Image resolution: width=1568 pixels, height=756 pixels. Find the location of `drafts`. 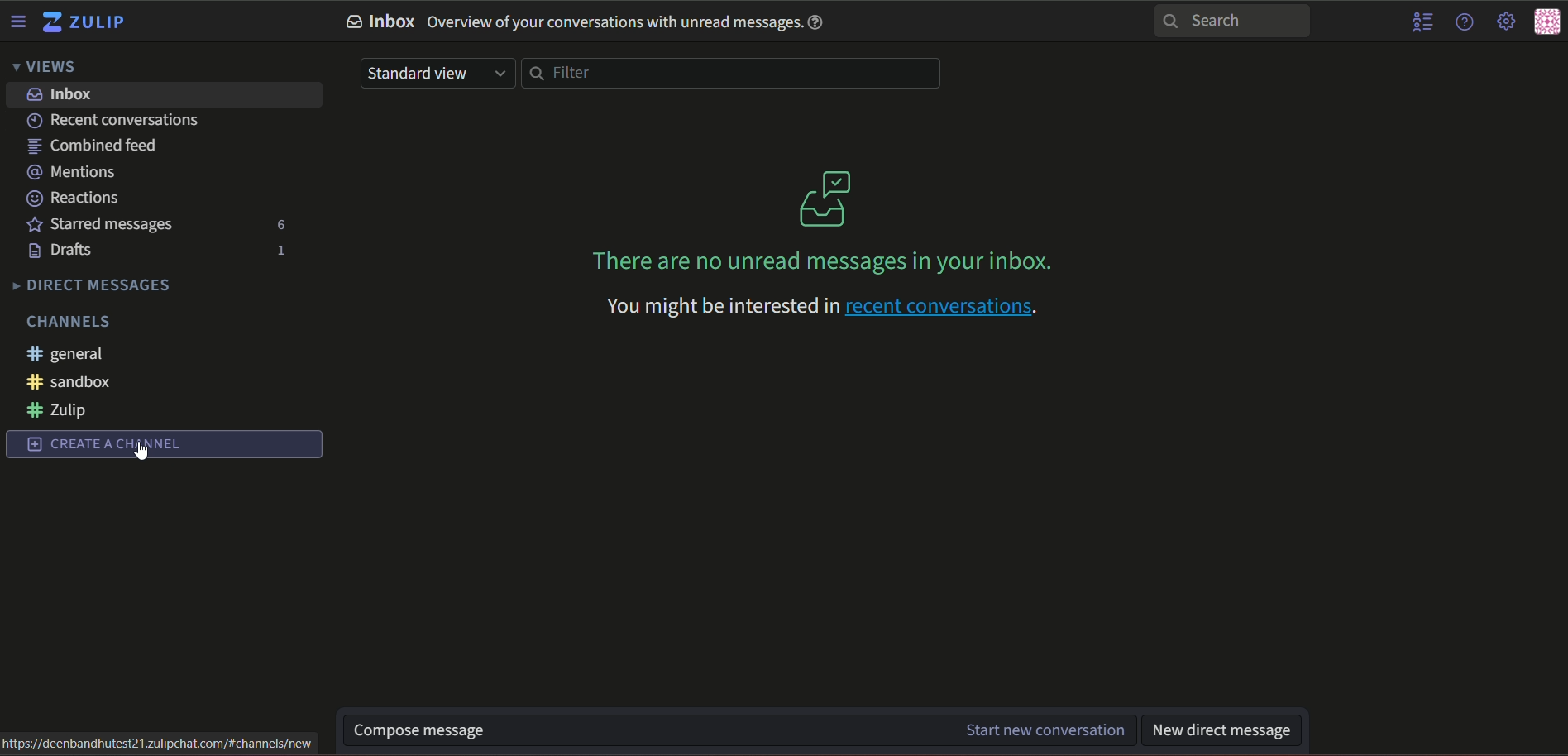

drafts is located at coordinates (64, 251).